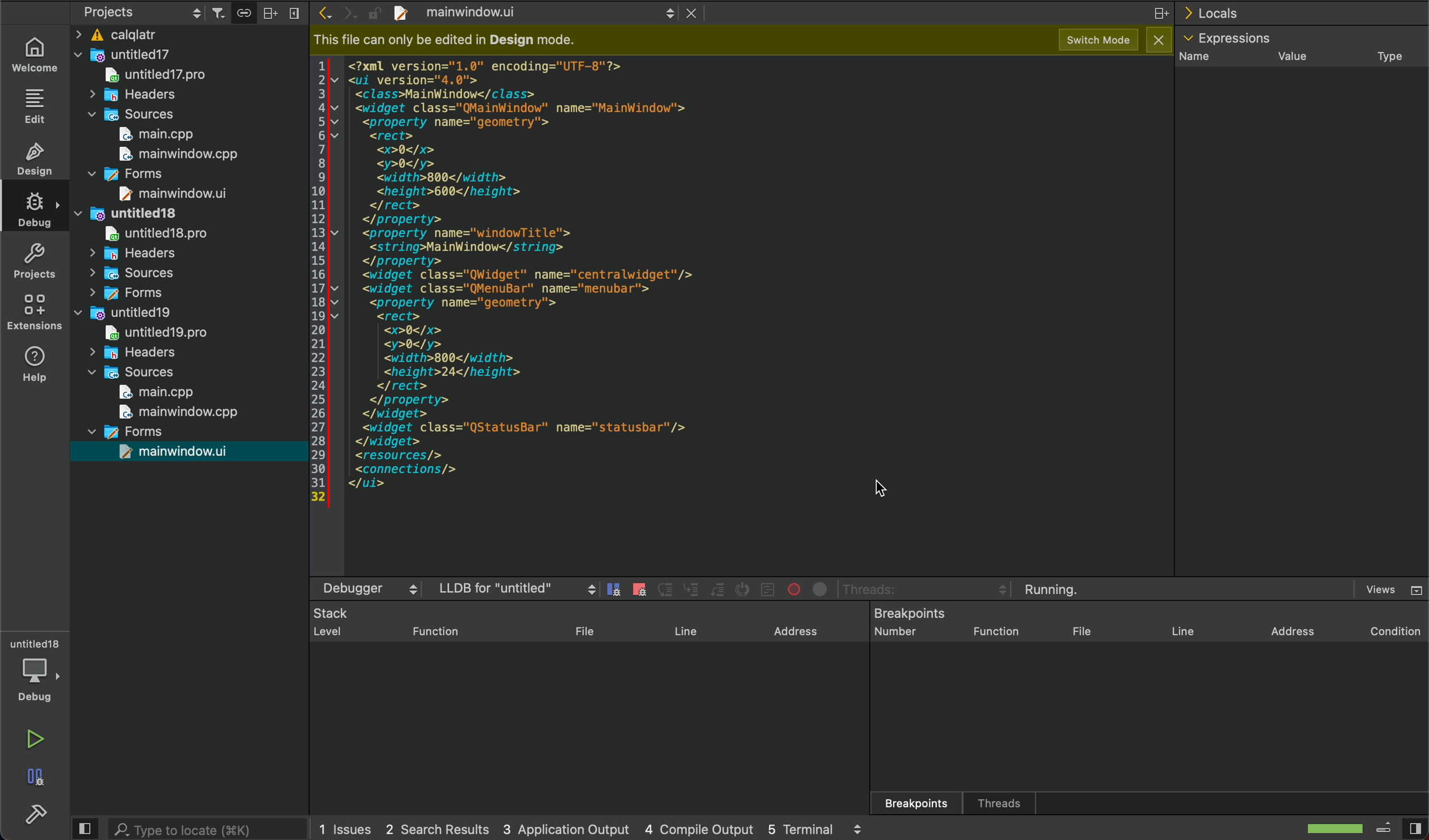  Describe the element at coordinates (802, 826) in the screenshot. I see `5 terminal` at that location.